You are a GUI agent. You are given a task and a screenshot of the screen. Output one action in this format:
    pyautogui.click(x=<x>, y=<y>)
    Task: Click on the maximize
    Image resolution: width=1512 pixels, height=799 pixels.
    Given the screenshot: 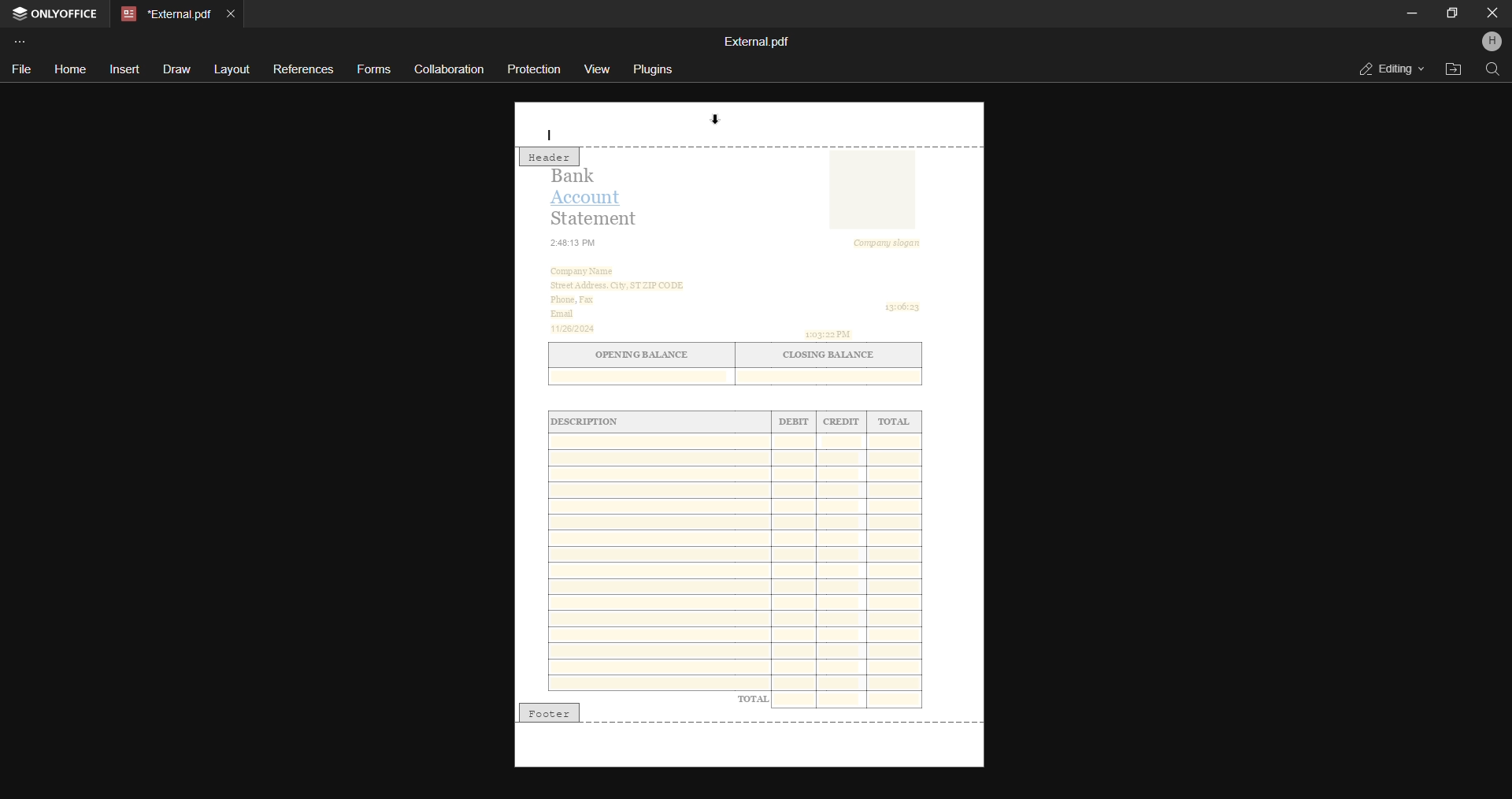 What is the action you would take?
    pyautogui.click(x=1451, y=12)
    